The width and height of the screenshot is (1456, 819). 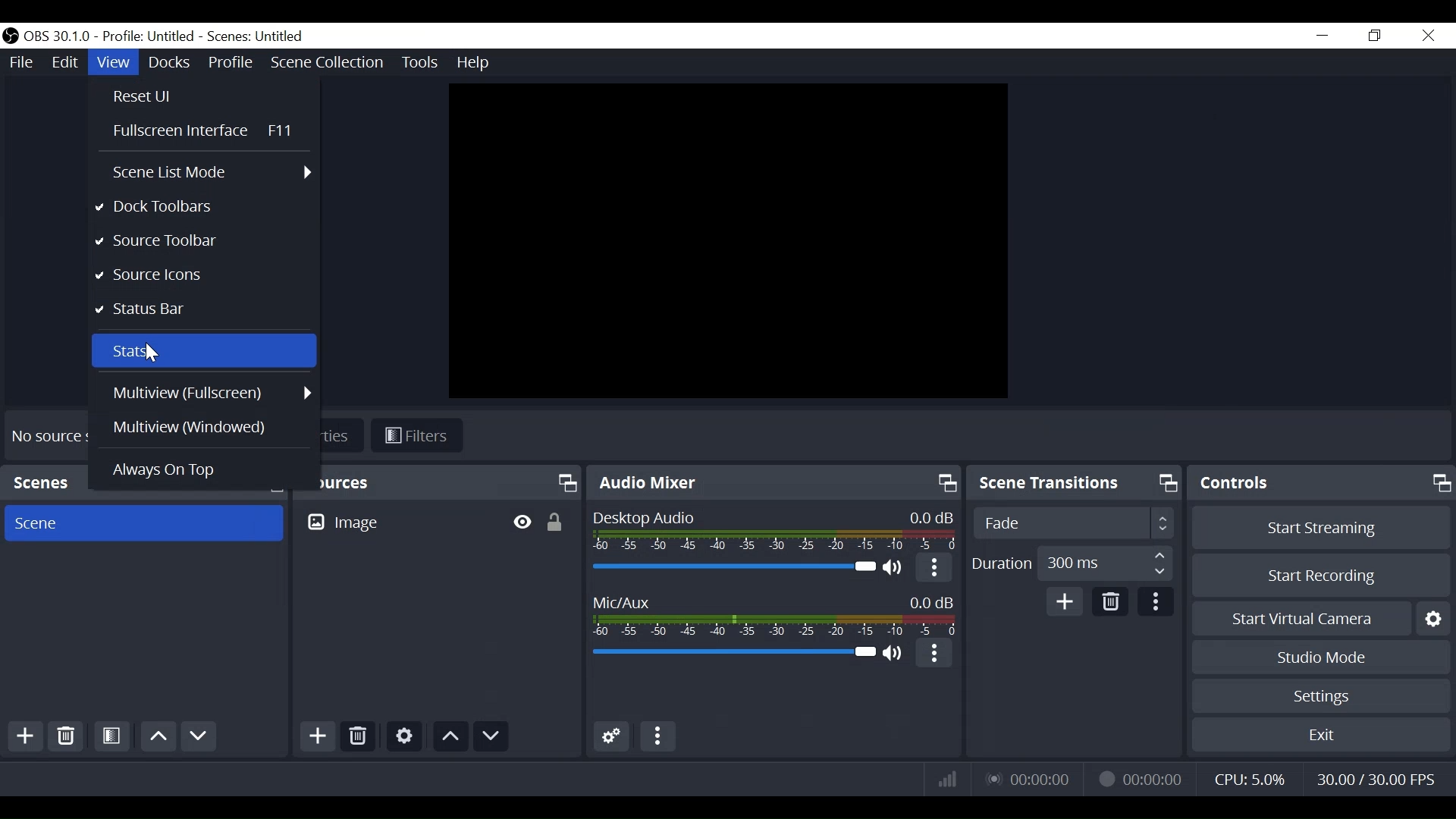 I want to click on Adjust Scene Transition, so click(x=1072, y=522).